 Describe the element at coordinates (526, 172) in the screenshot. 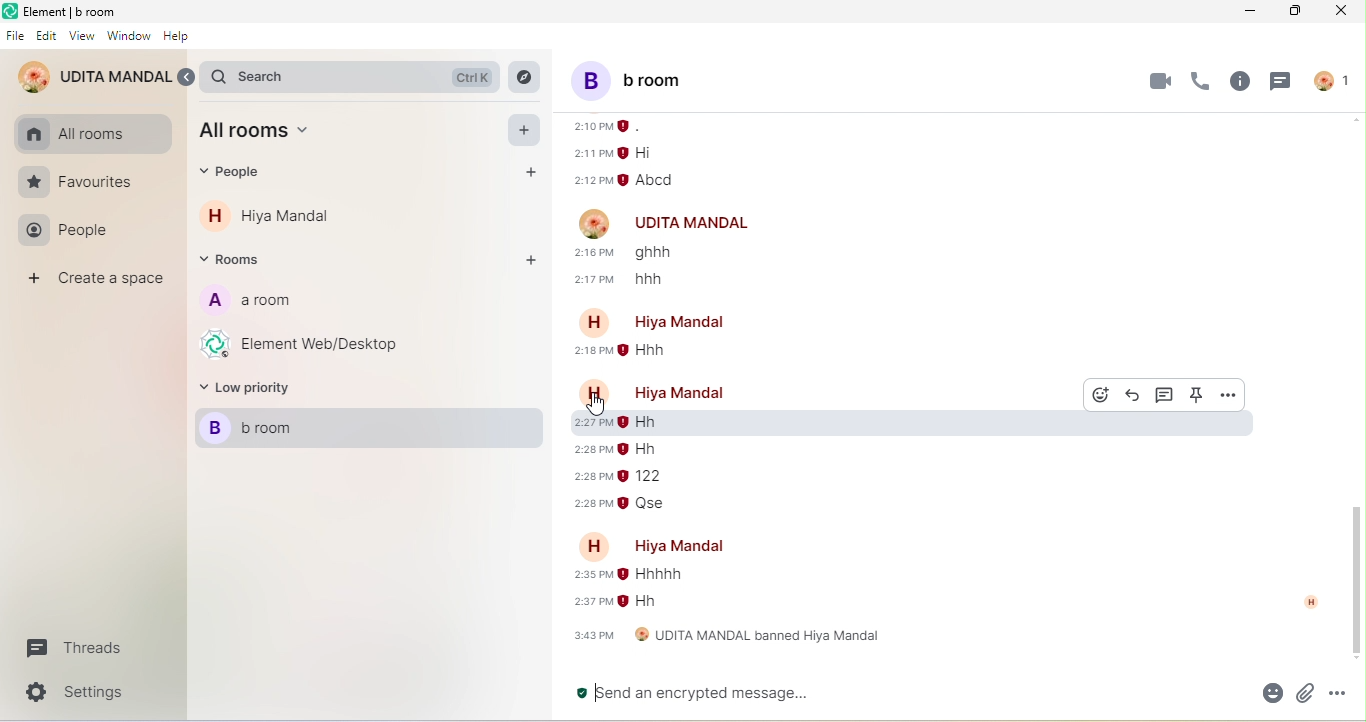

I see `add people` at that location.